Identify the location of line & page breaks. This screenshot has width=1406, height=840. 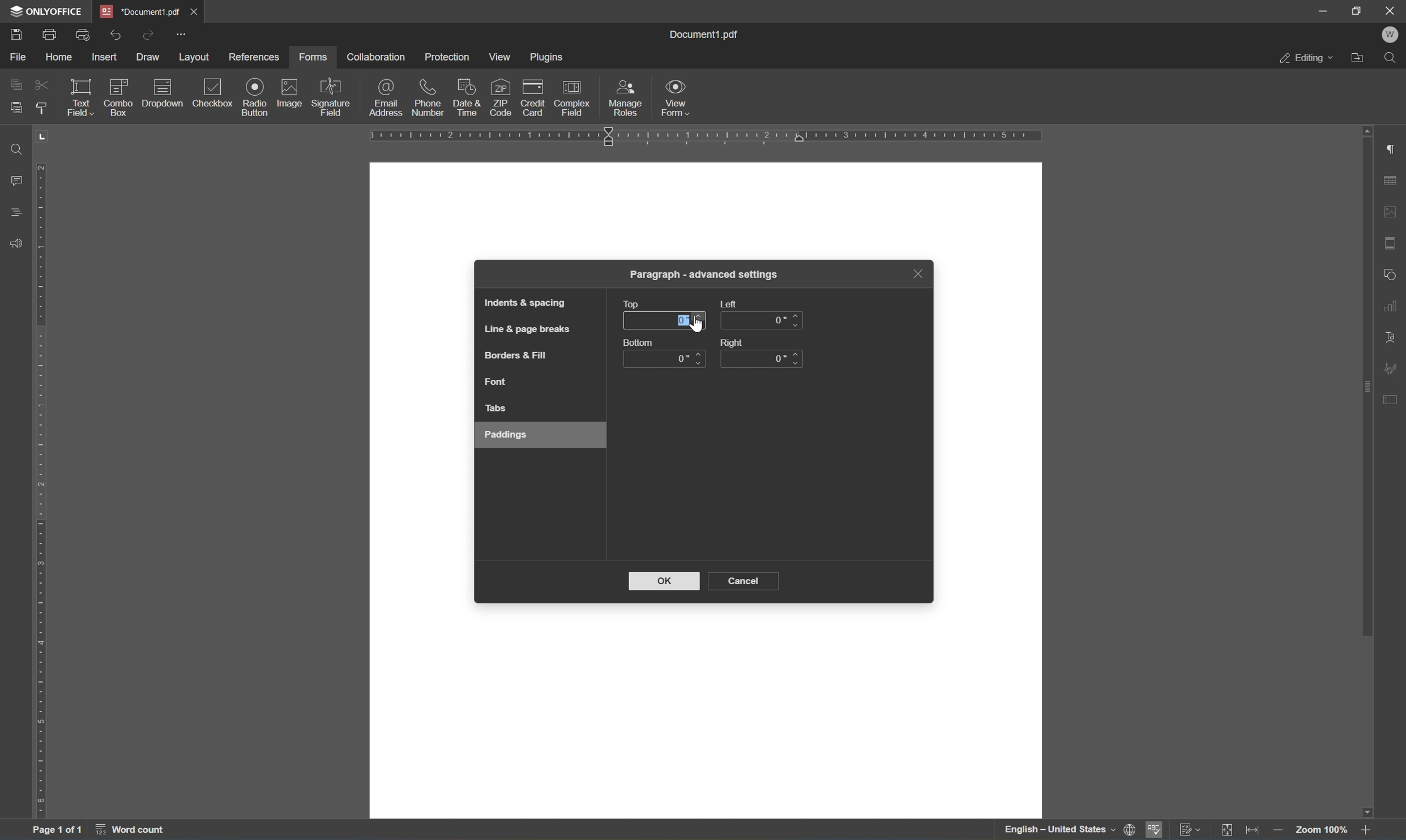
(530, 328).